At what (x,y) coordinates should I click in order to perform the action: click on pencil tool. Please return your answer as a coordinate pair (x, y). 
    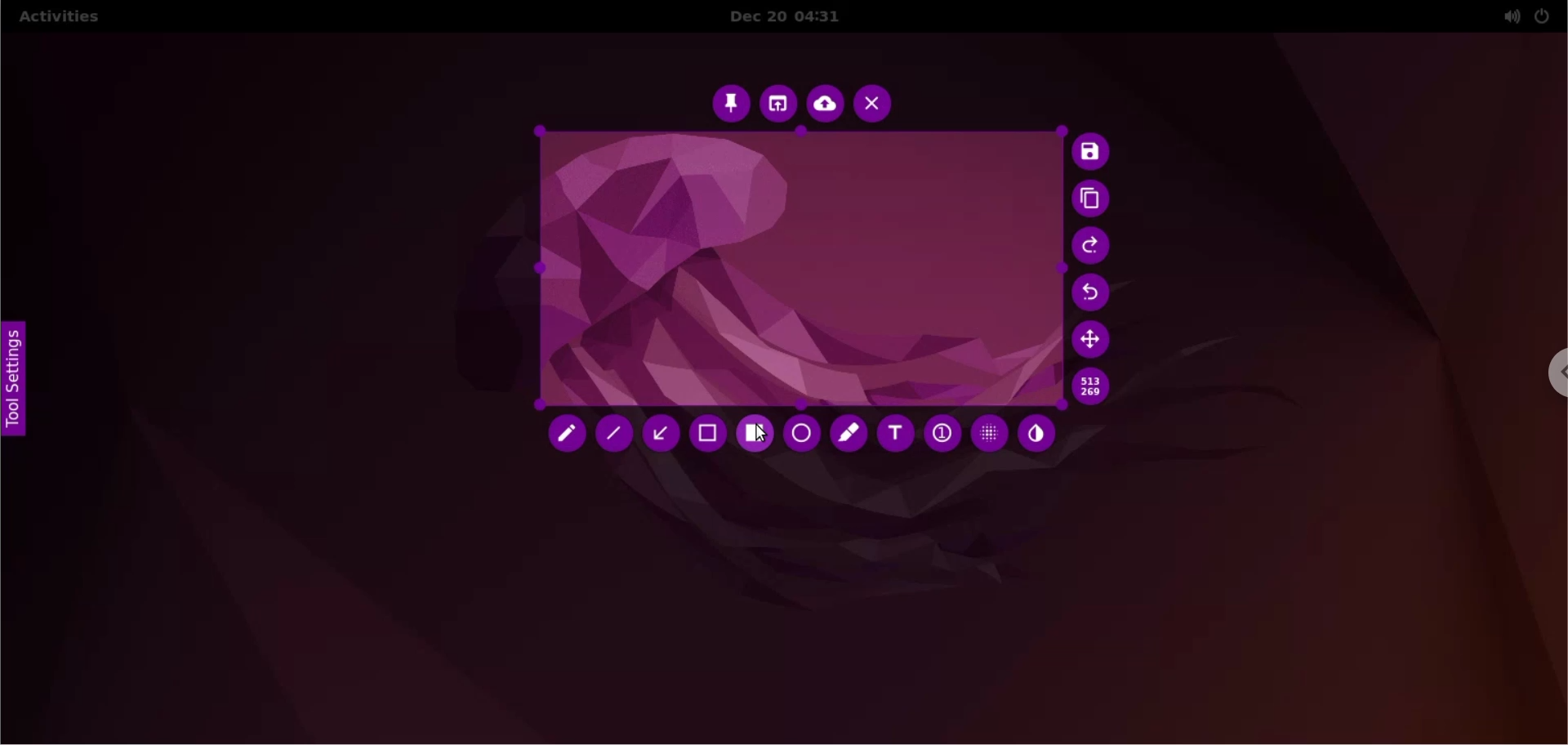
    Looking at the image, I should click on (561, 435).